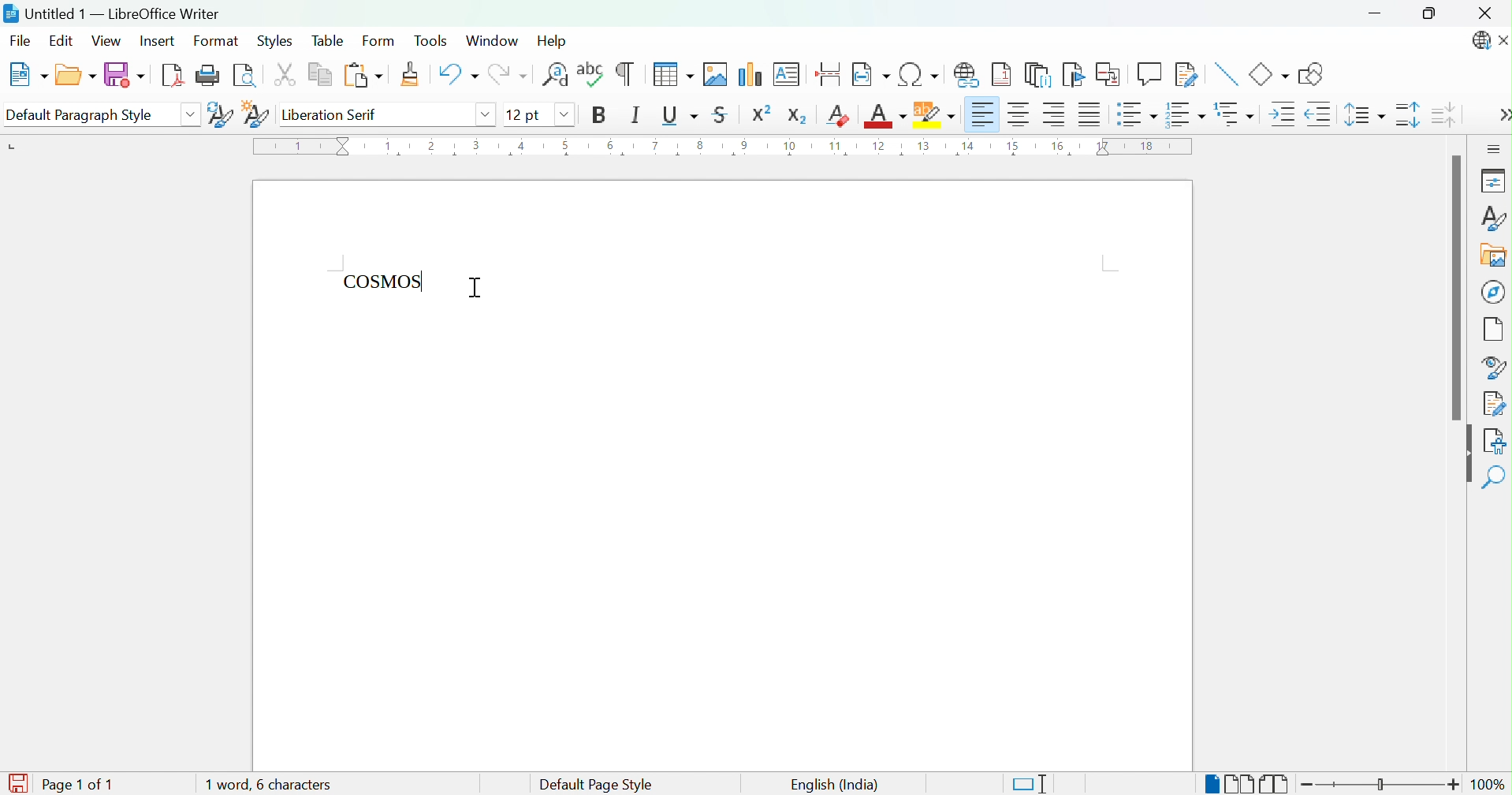 Image resolution: width=1512 pixels, height=795 pixels. Describe the element at coordinates (456, 75) in the screenshot. I see `Undo` at that location.